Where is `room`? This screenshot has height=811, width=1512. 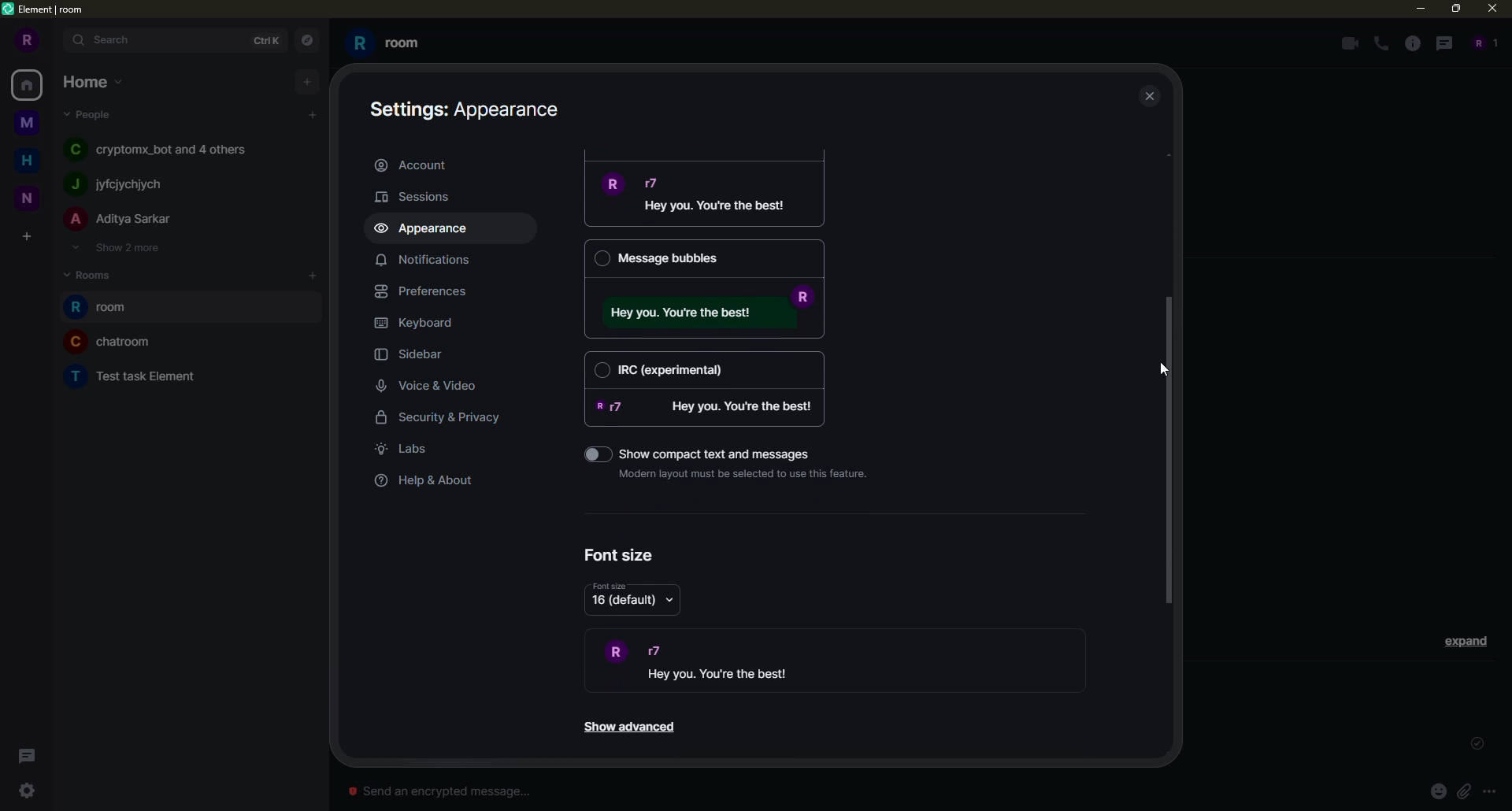
room is located at coordinates (387, 43).